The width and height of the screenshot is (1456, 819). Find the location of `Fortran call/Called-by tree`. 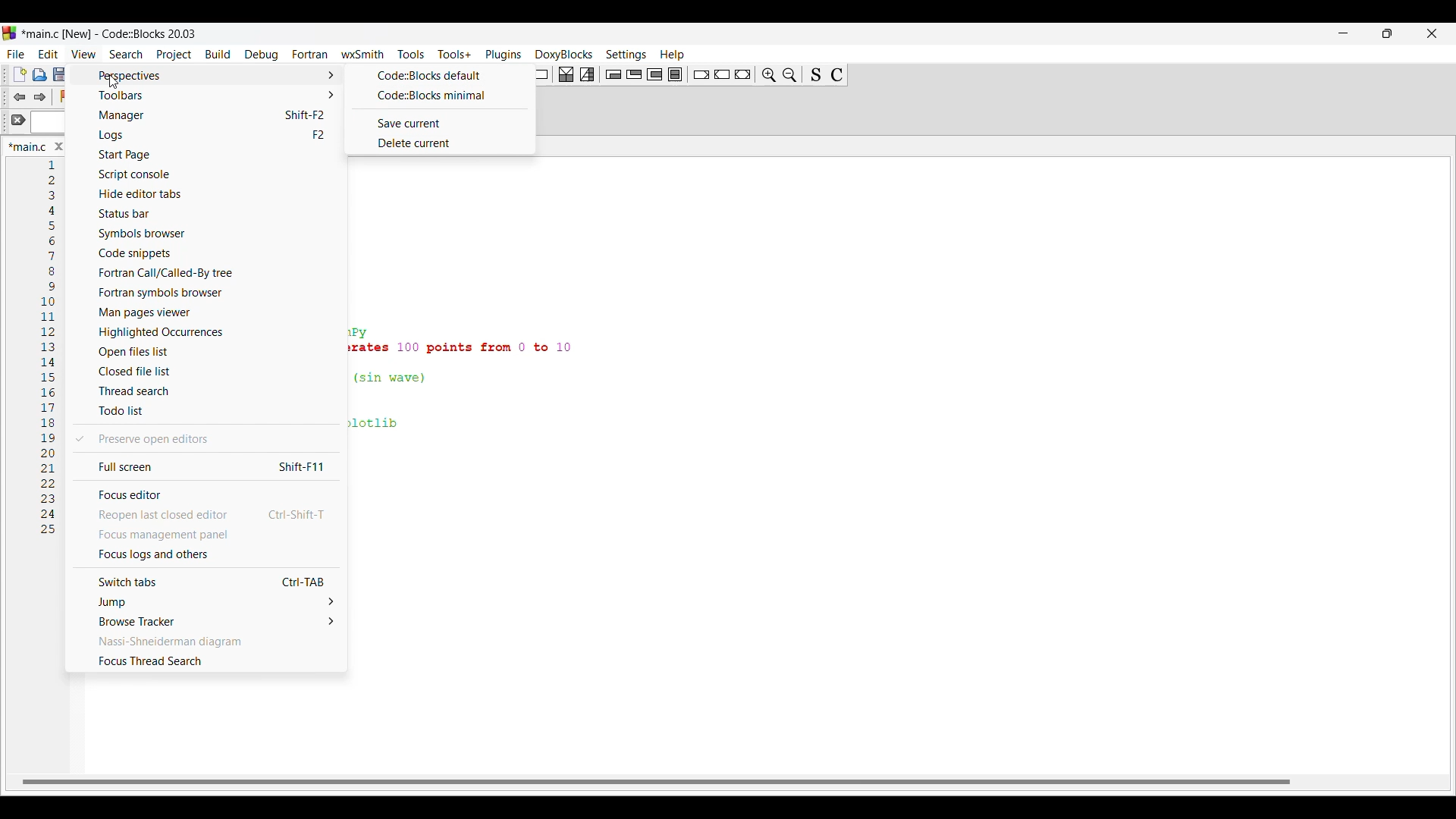

Fortran call/Called-by tree is located at coordinates (212, 272).